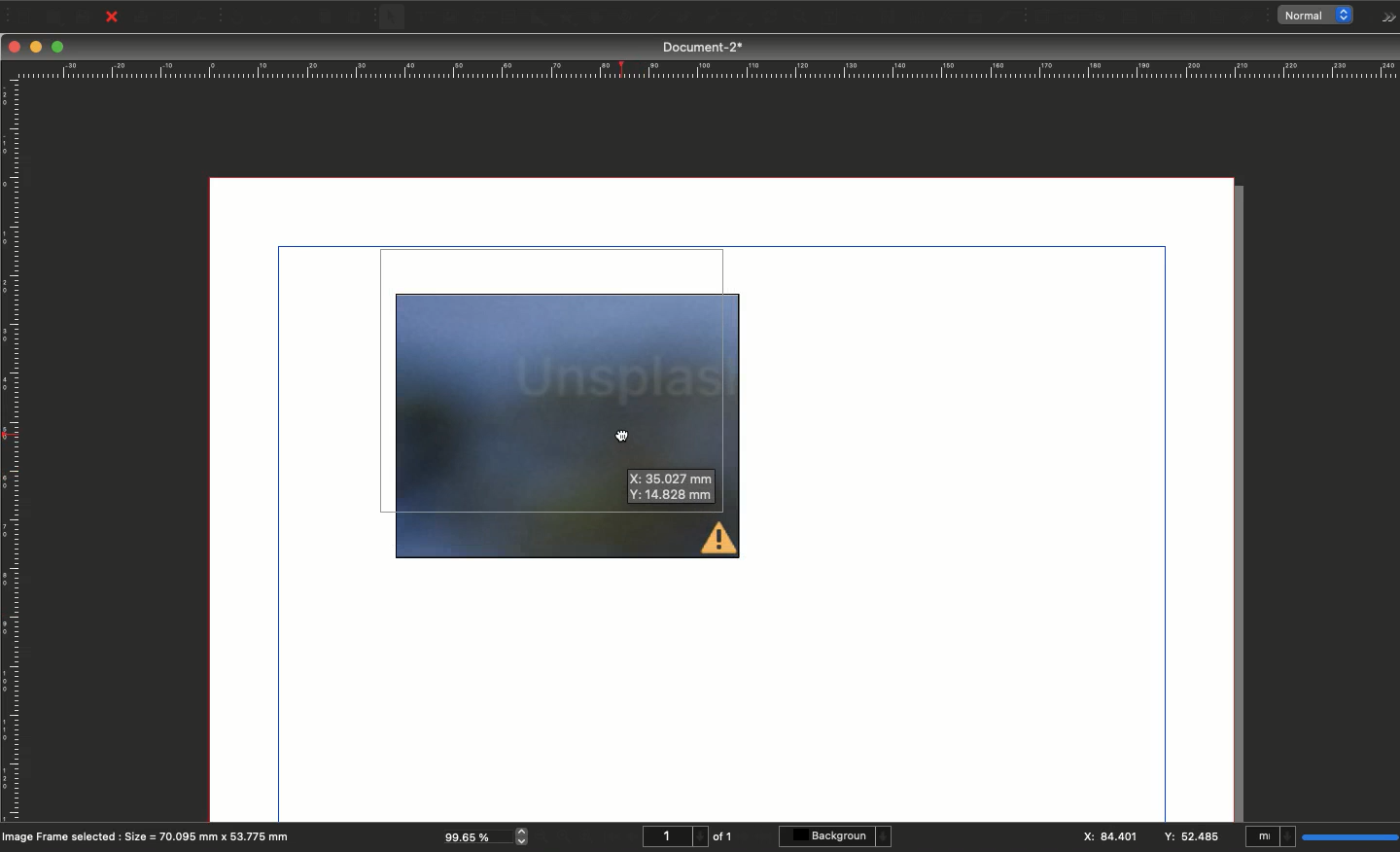 The width and height of the screenshot is (1400, 852). What do you see at coordinates (59, 49) in the screenshot?
I see `Maximize` at bounding box center [59, 49].